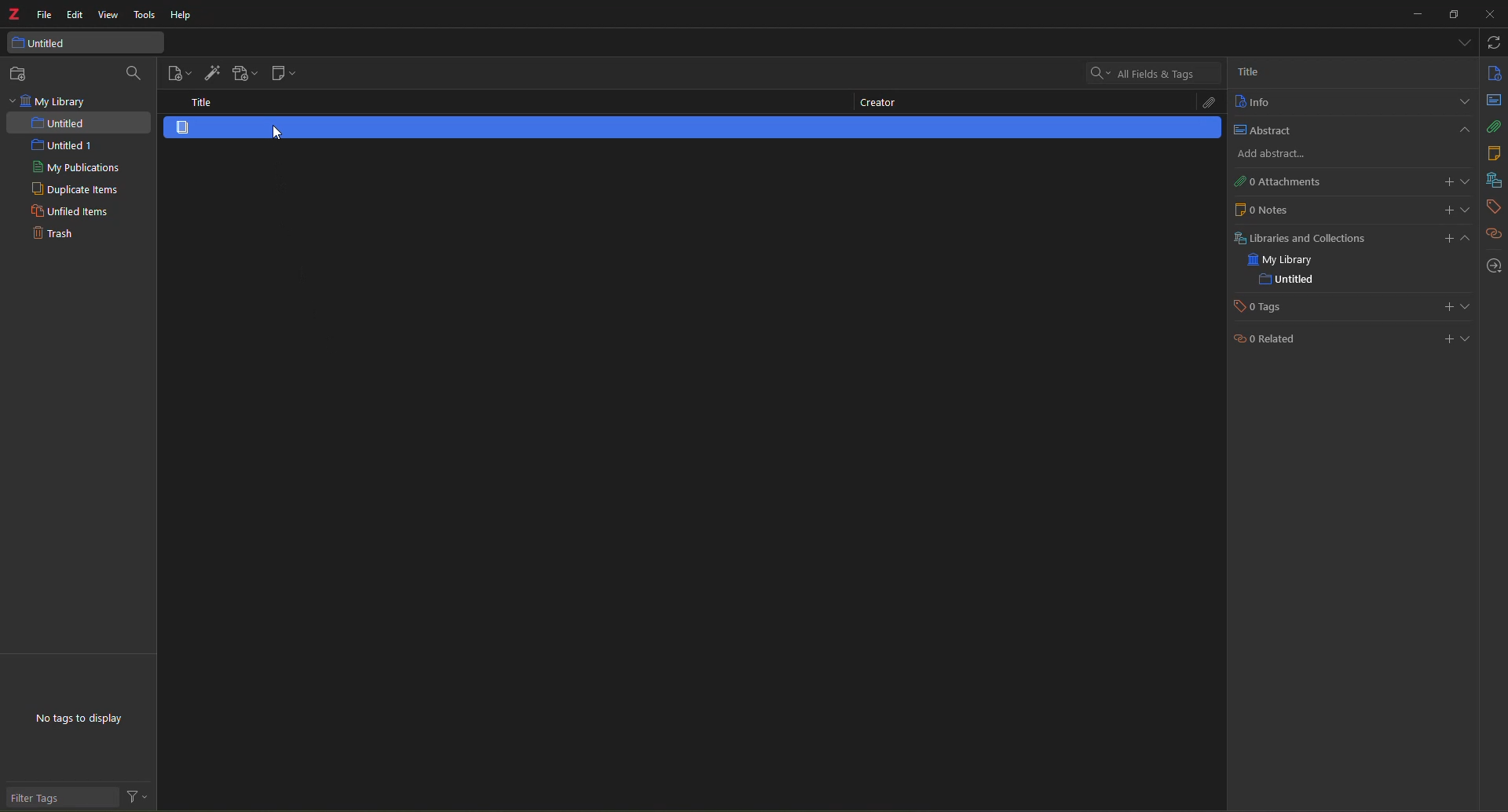 The image size is (1508, 812). I want to click on add, so click(1455, 237).